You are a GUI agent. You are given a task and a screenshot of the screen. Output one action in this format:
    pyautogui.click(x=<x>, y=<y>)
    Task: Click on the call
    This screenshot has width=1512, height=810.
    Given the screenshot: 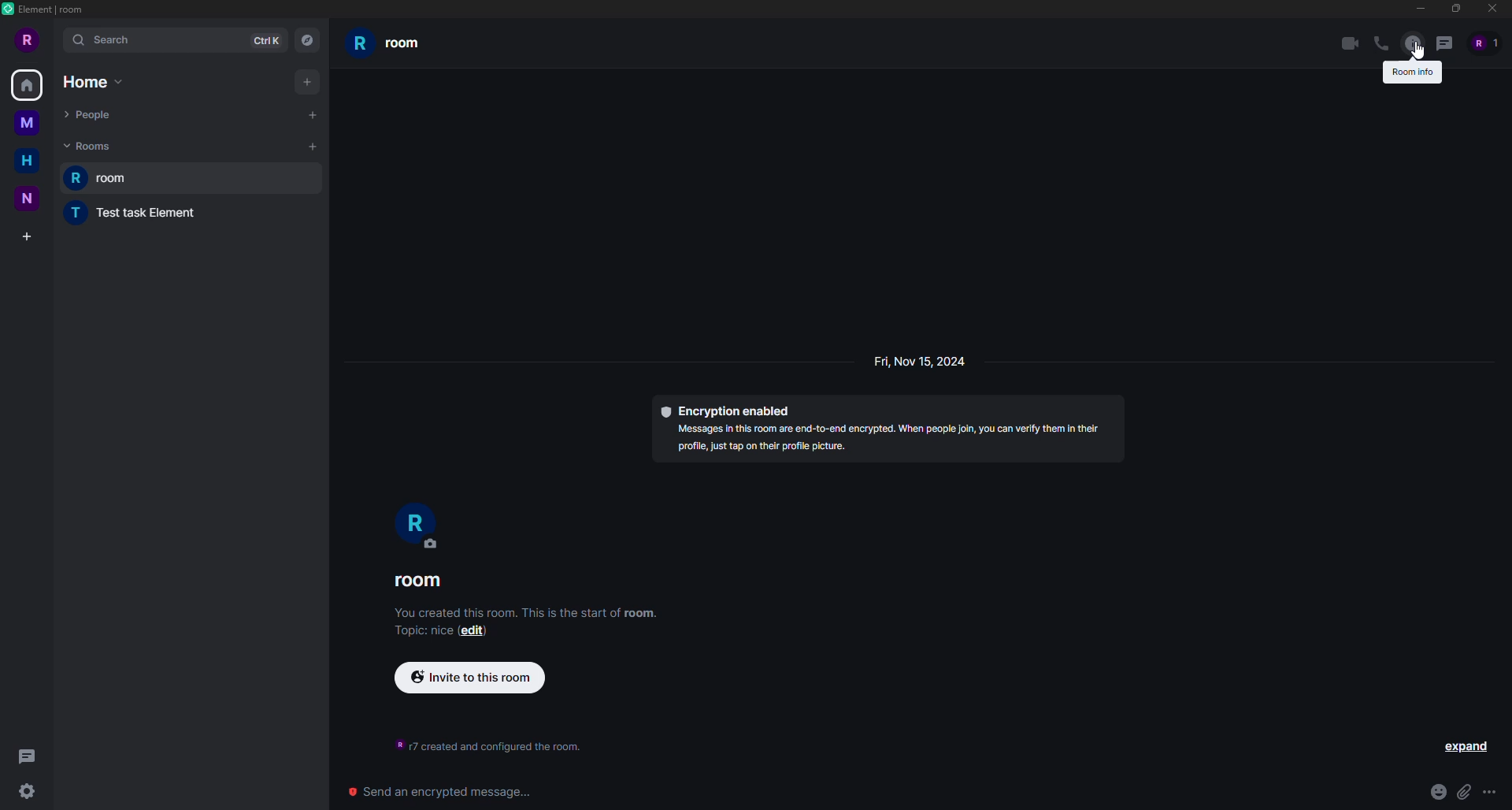 What is the action you would take?
    pyautogui.click(x=1382, y=44)
    